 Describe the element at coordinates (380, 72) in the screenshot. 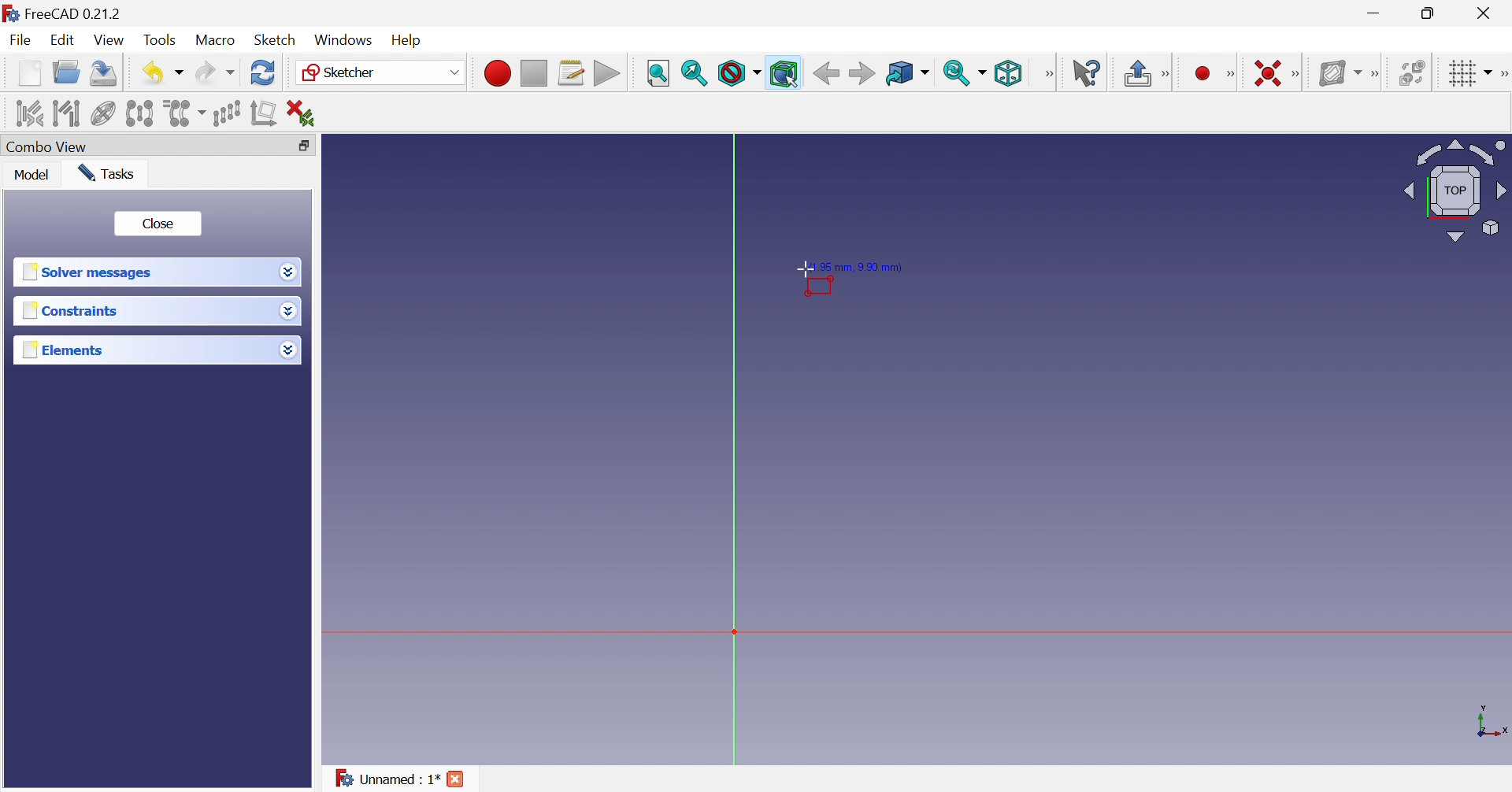

I see `Sketcher` at that location.